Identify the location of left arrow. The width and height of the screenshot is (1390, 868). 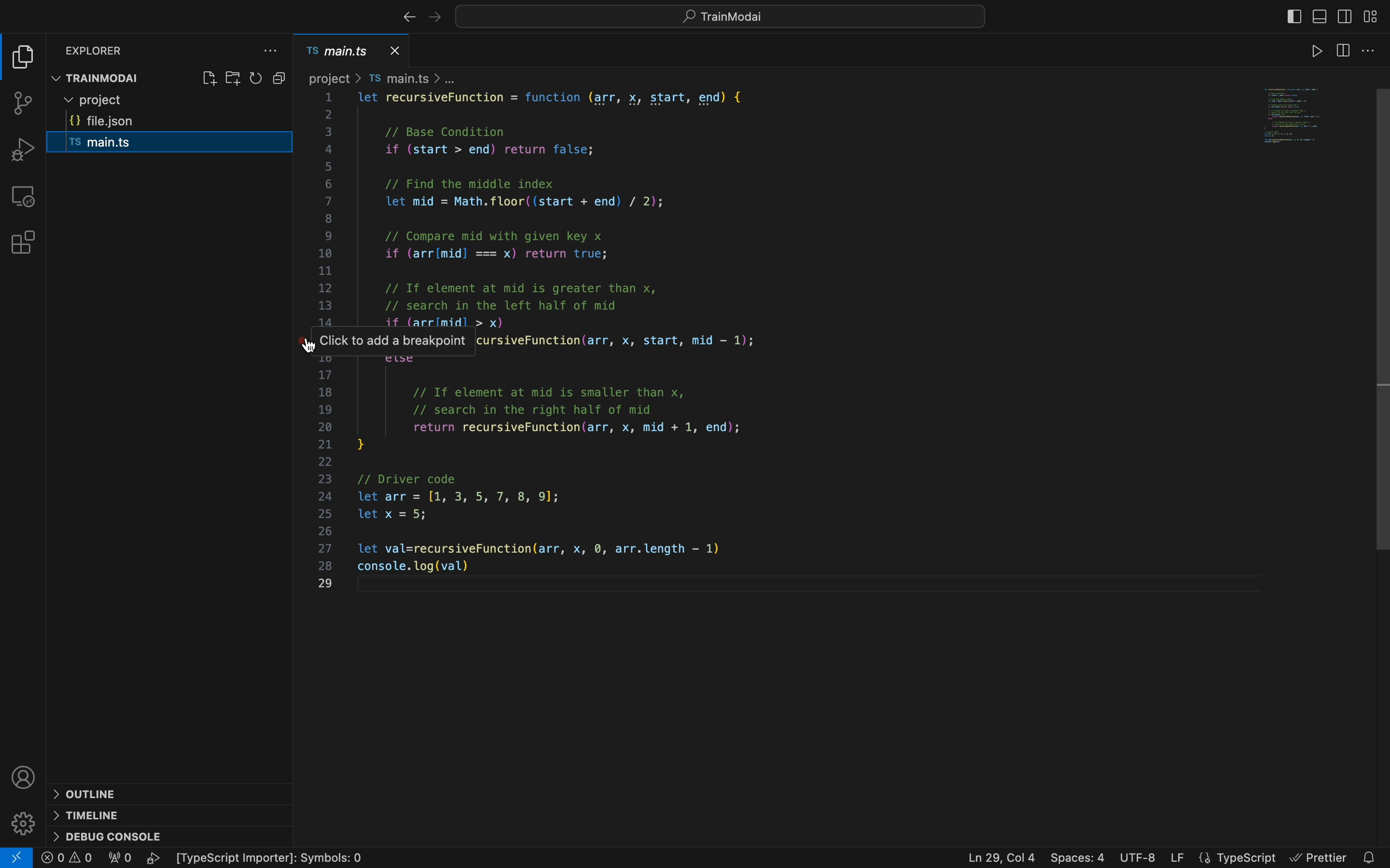
(437, 18).